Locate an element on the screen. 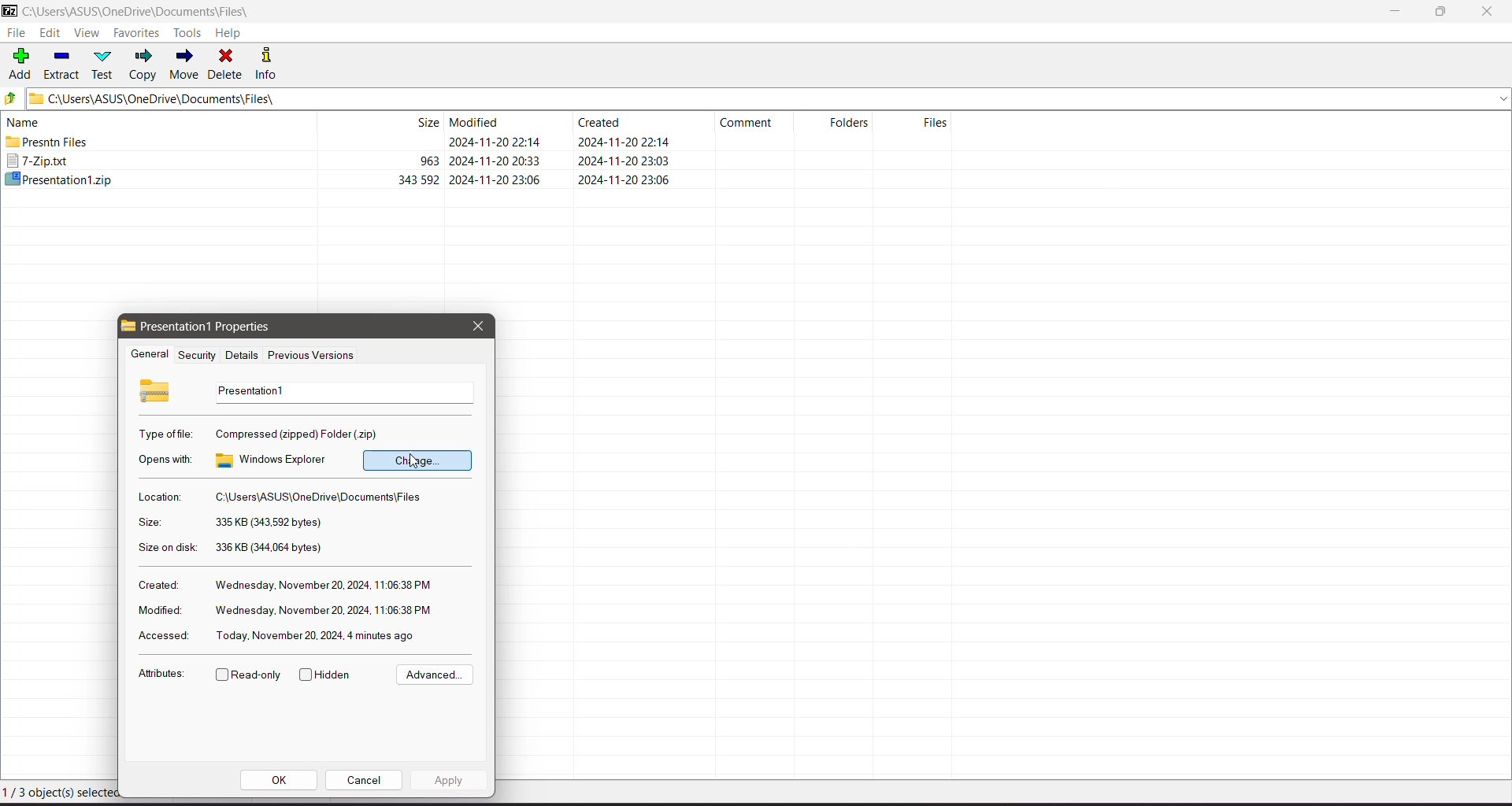 Image resolution: width=1512 pixels, height=806 pixels. Restore Down is located at coordinates (1442, 12).